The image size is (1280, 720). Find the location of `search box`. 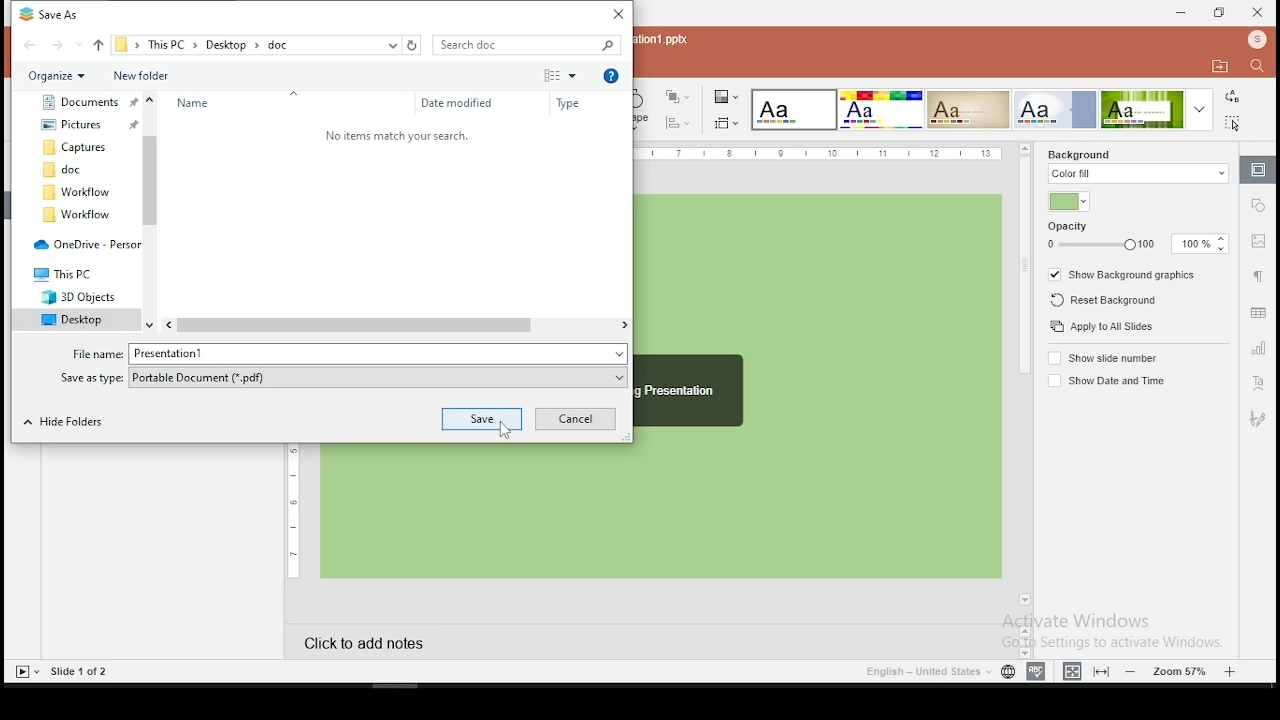

search box is located at coordinates (528, 45).